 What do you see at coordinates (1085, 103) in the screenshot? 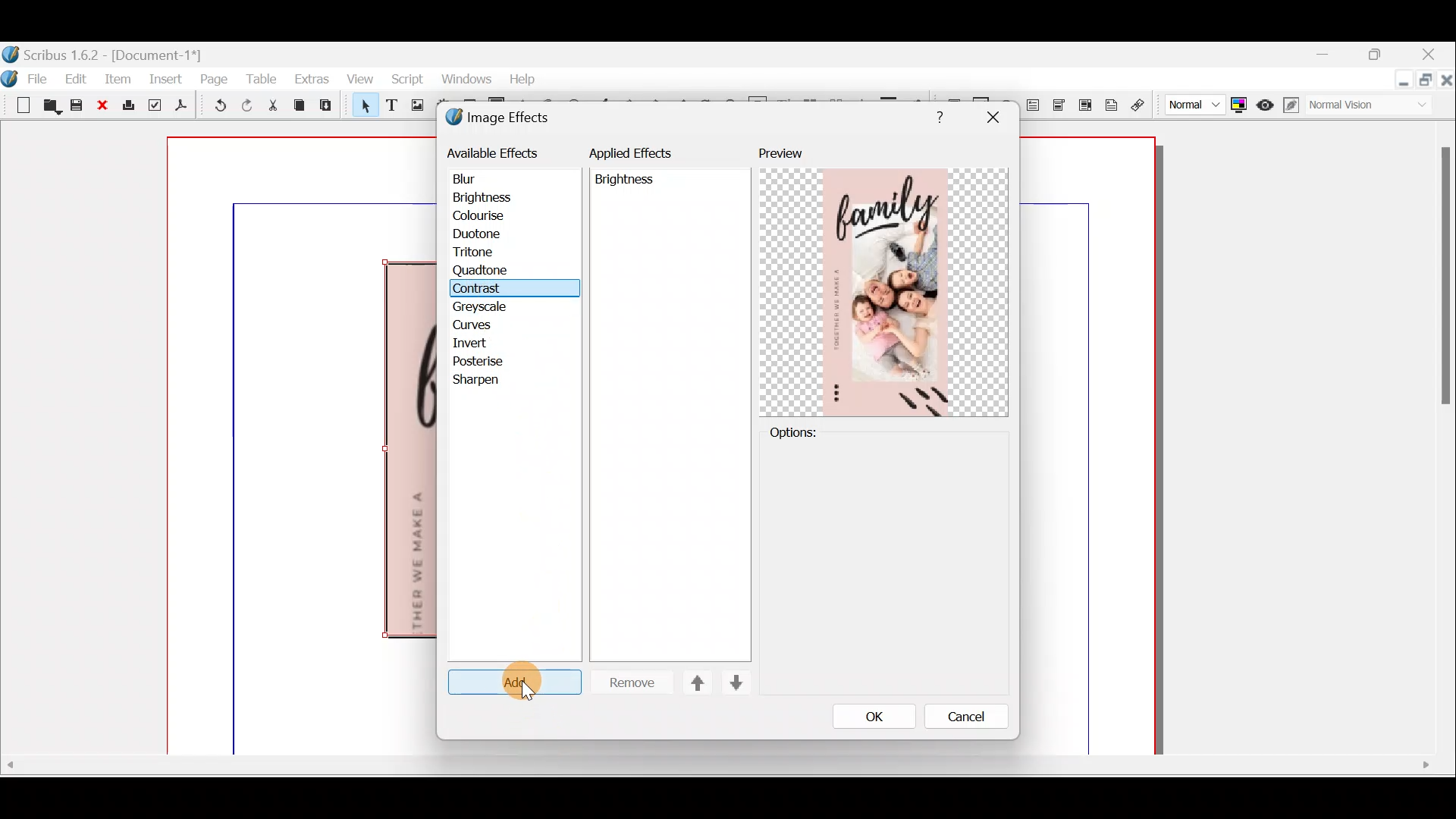
I see `PDF List box` at bounding box center [1085, 103].